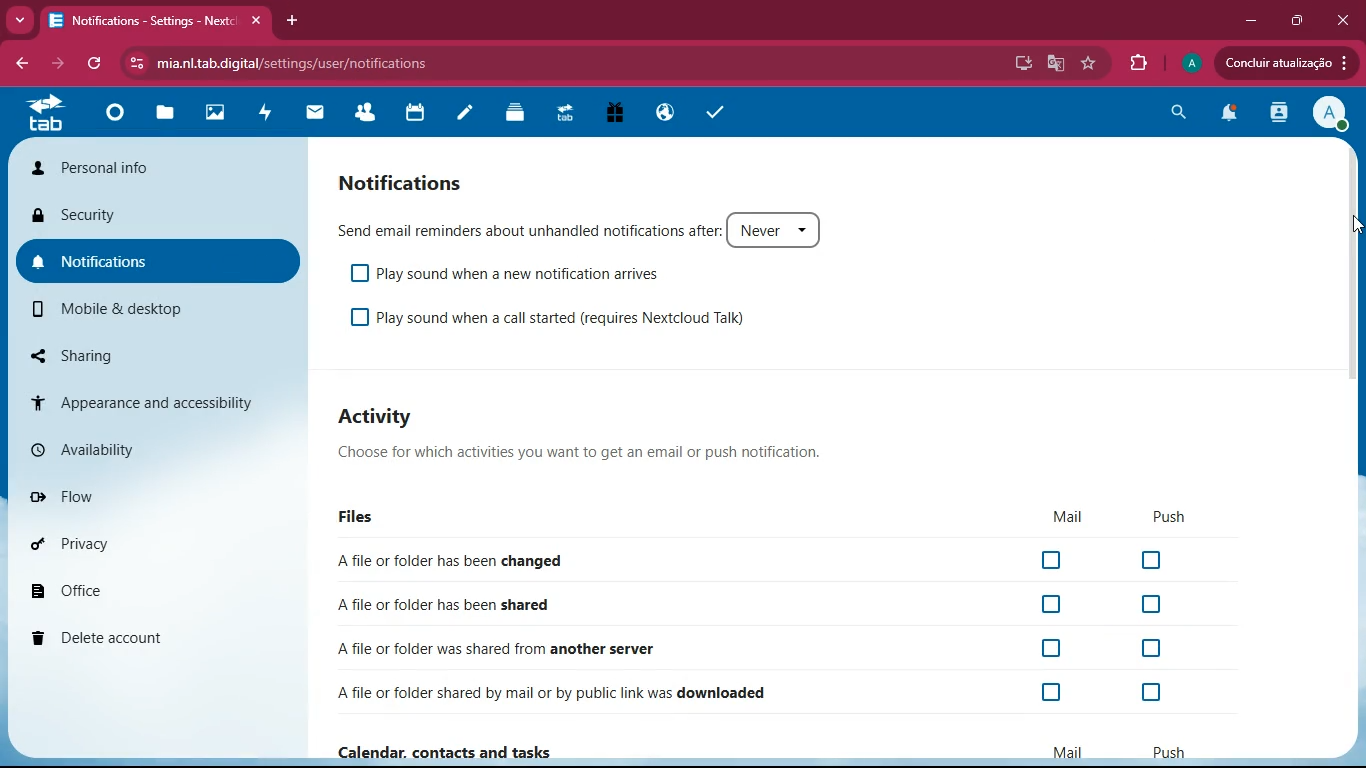 The image size is (1366, 768). I want to click on sharing, so click(150, 356).